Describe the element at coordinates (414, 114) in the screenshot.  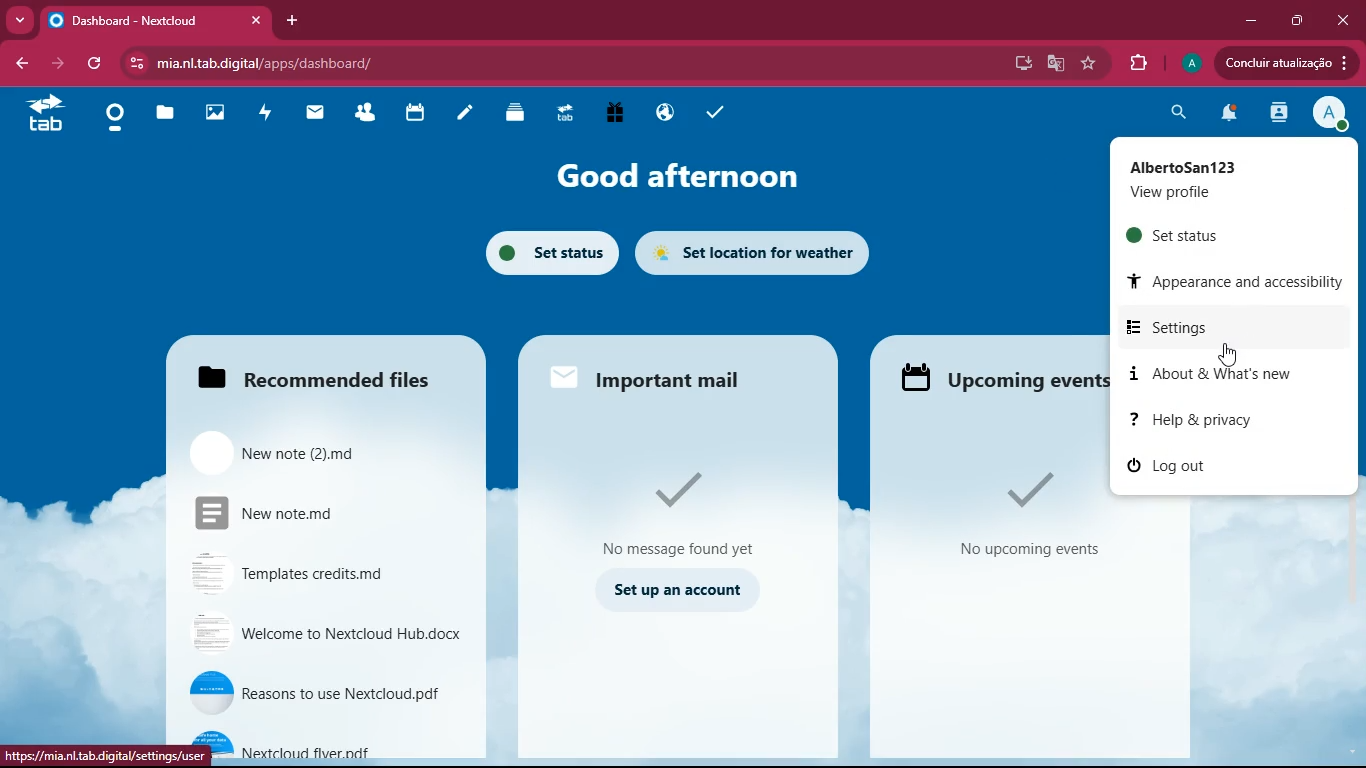
I see `calendar` at that location.